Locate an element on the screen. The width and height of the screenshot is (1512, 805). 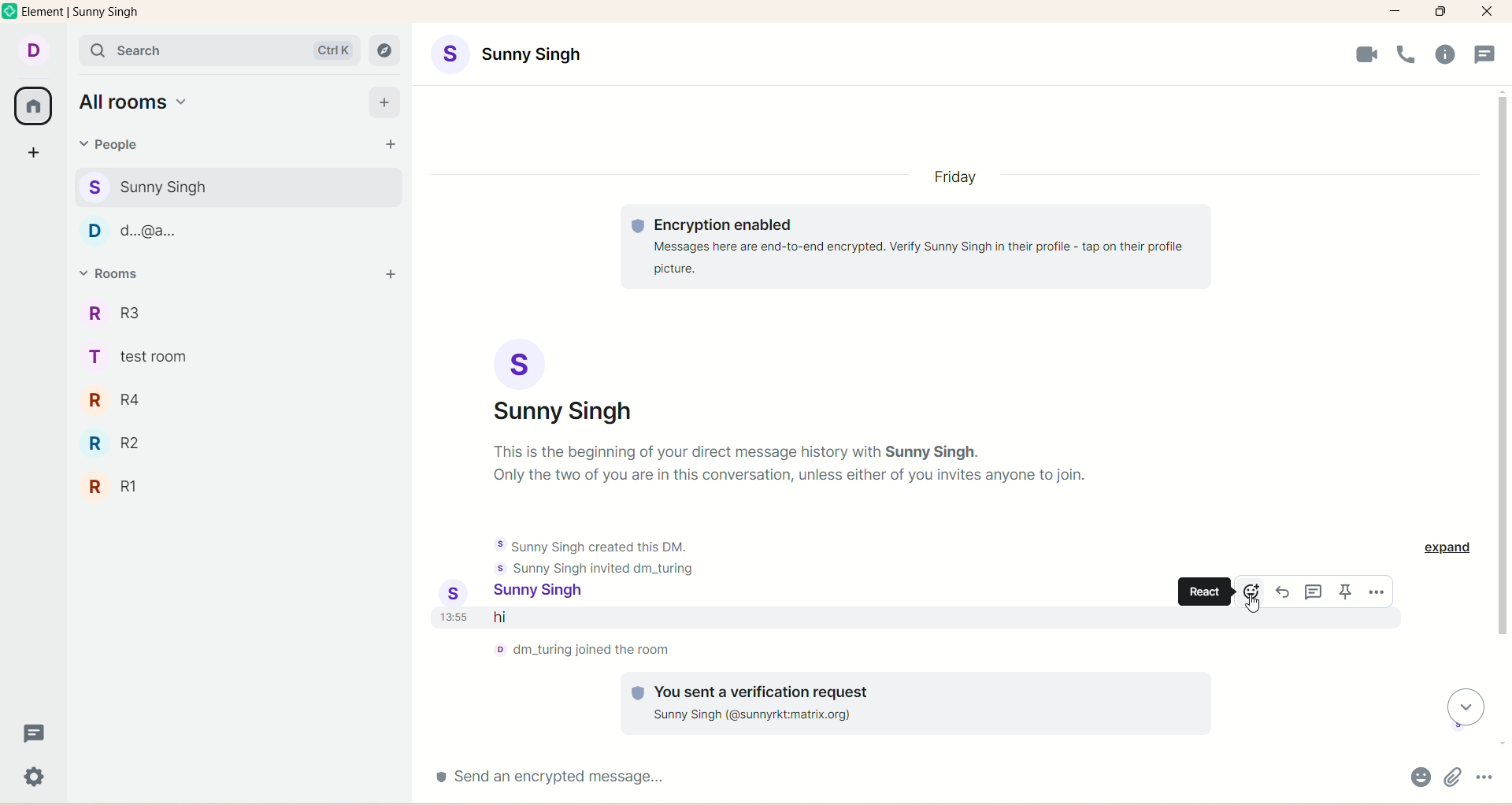
d...@a... chat is located at coordinates (235, 231).